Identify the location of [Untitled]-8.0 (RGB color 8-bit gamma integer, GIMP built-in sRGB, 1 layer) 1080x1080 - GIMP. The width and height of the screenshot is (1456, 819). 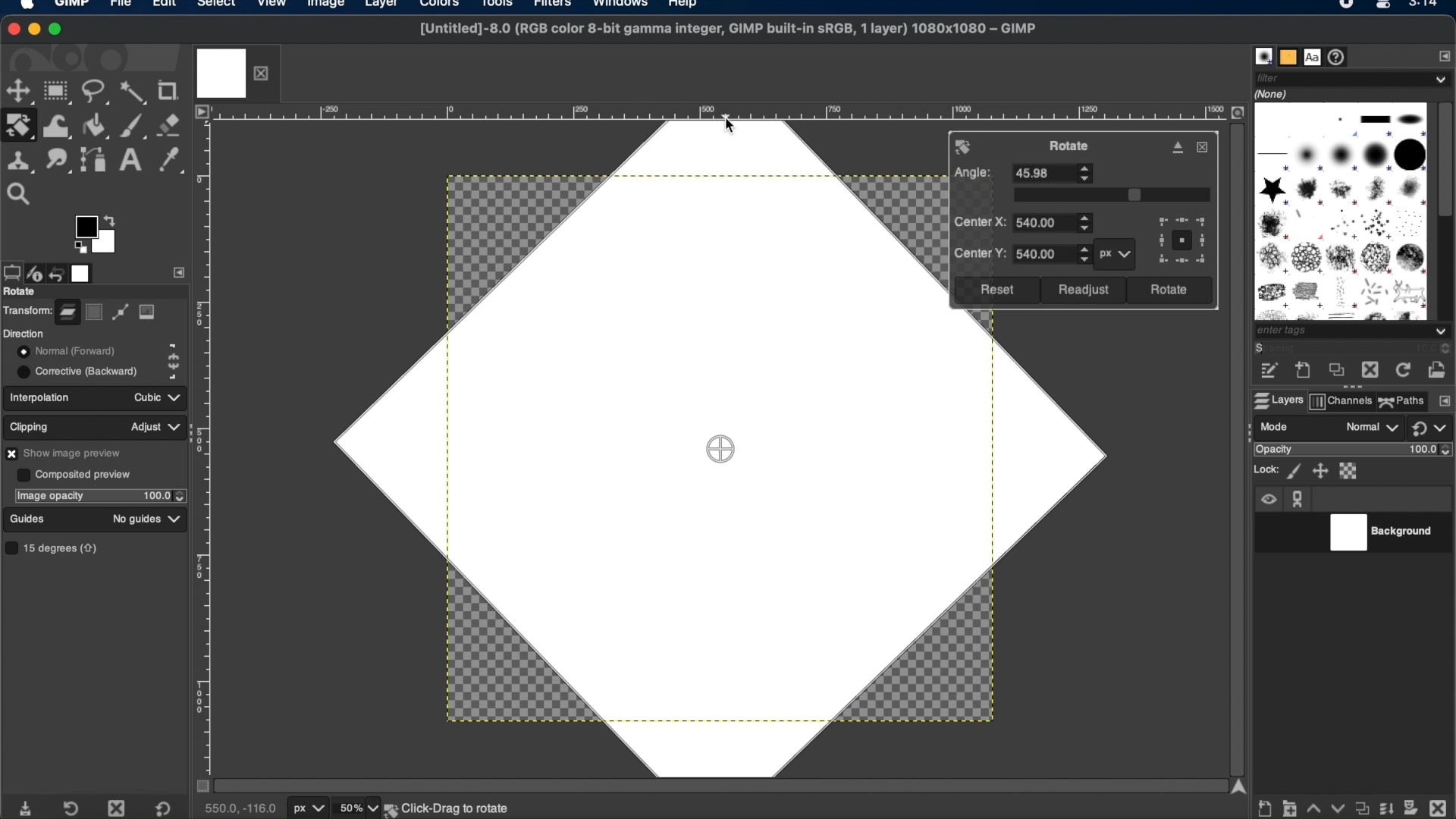
(725, 33).